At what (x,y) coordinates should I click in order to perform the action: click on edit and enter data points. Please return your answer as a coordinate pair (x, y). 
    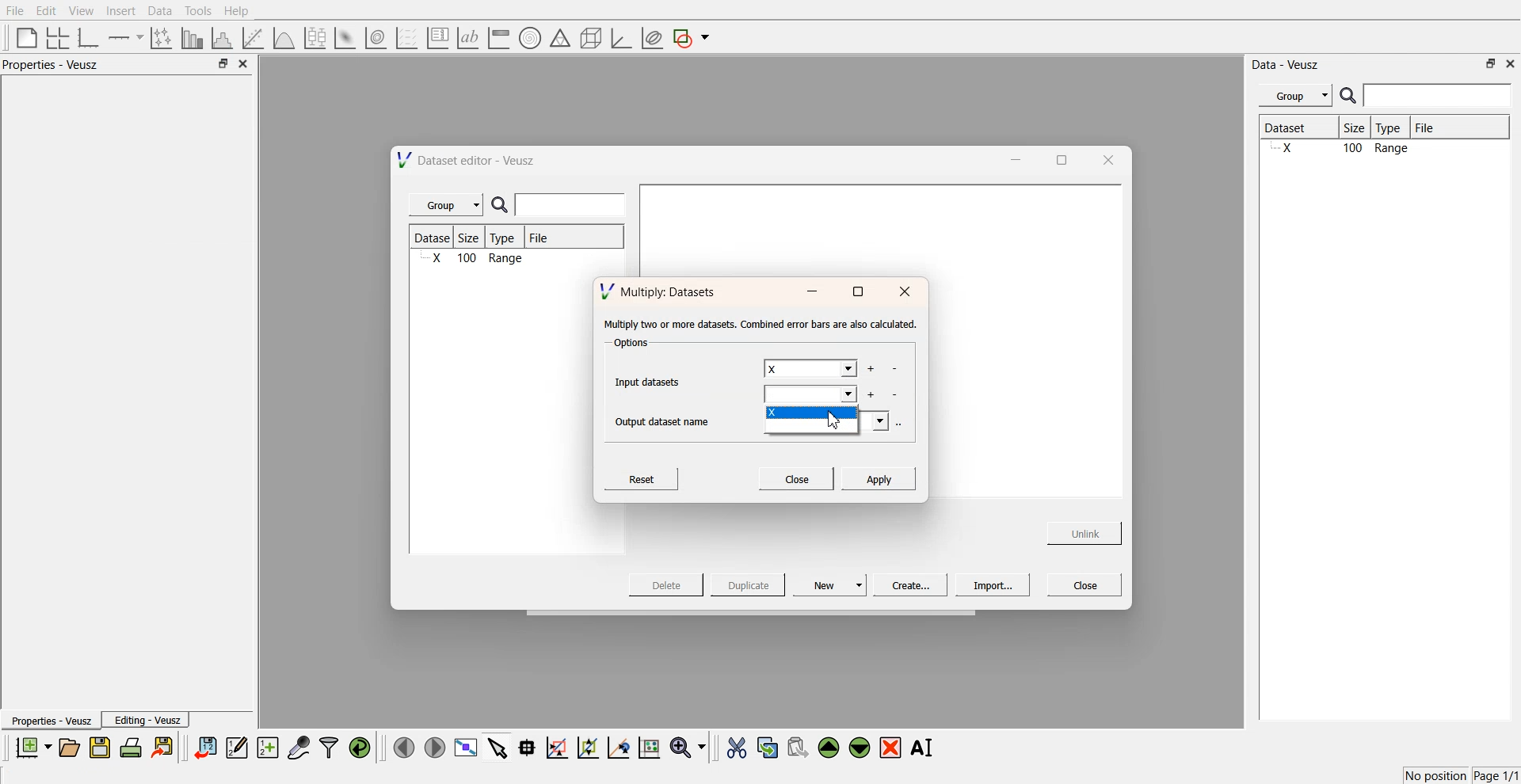
    Looking at the image, I should click on (237, 749).